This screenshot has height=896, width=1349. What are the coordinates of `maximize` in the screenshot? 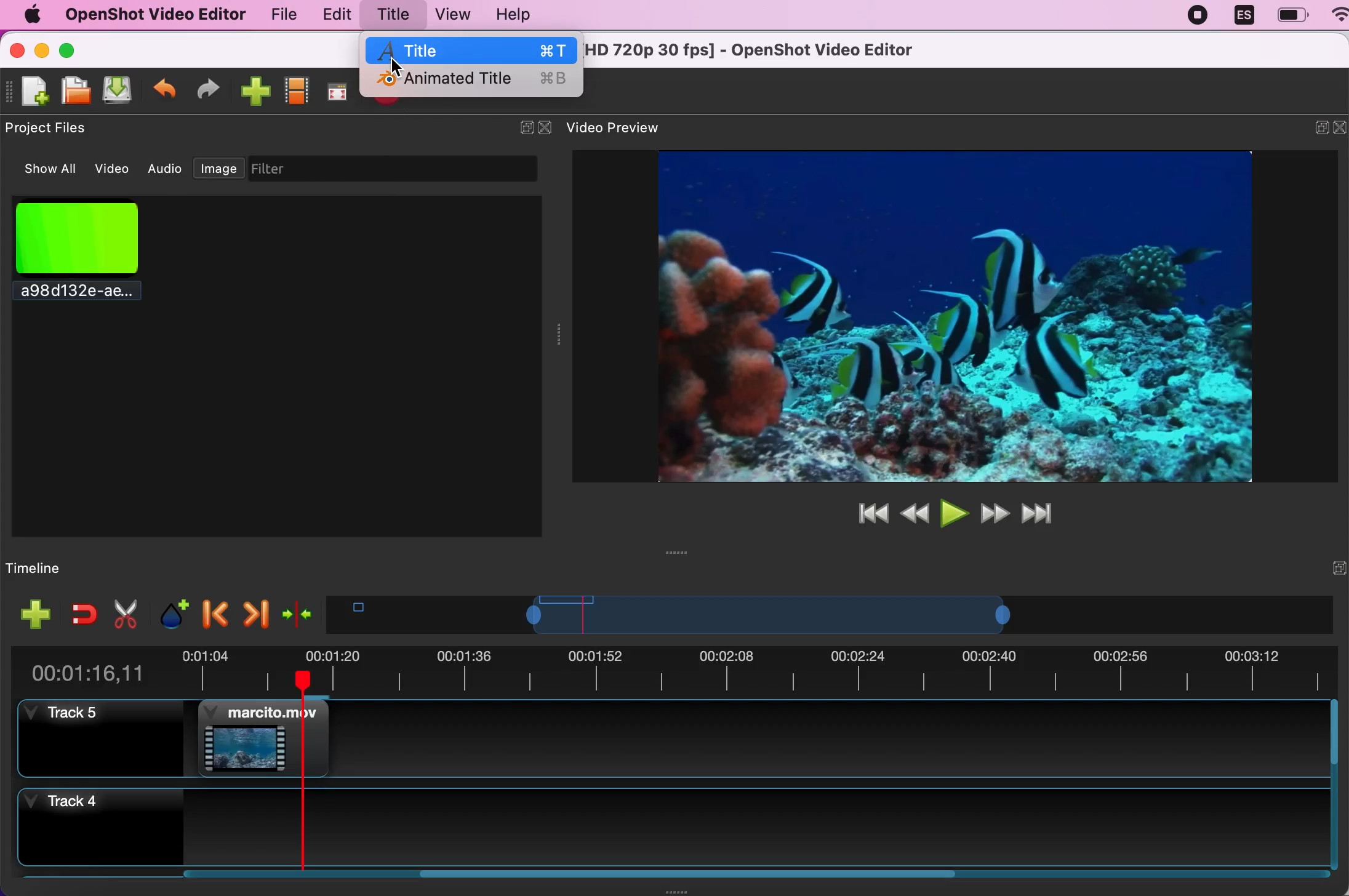 It's located at (82, 49).